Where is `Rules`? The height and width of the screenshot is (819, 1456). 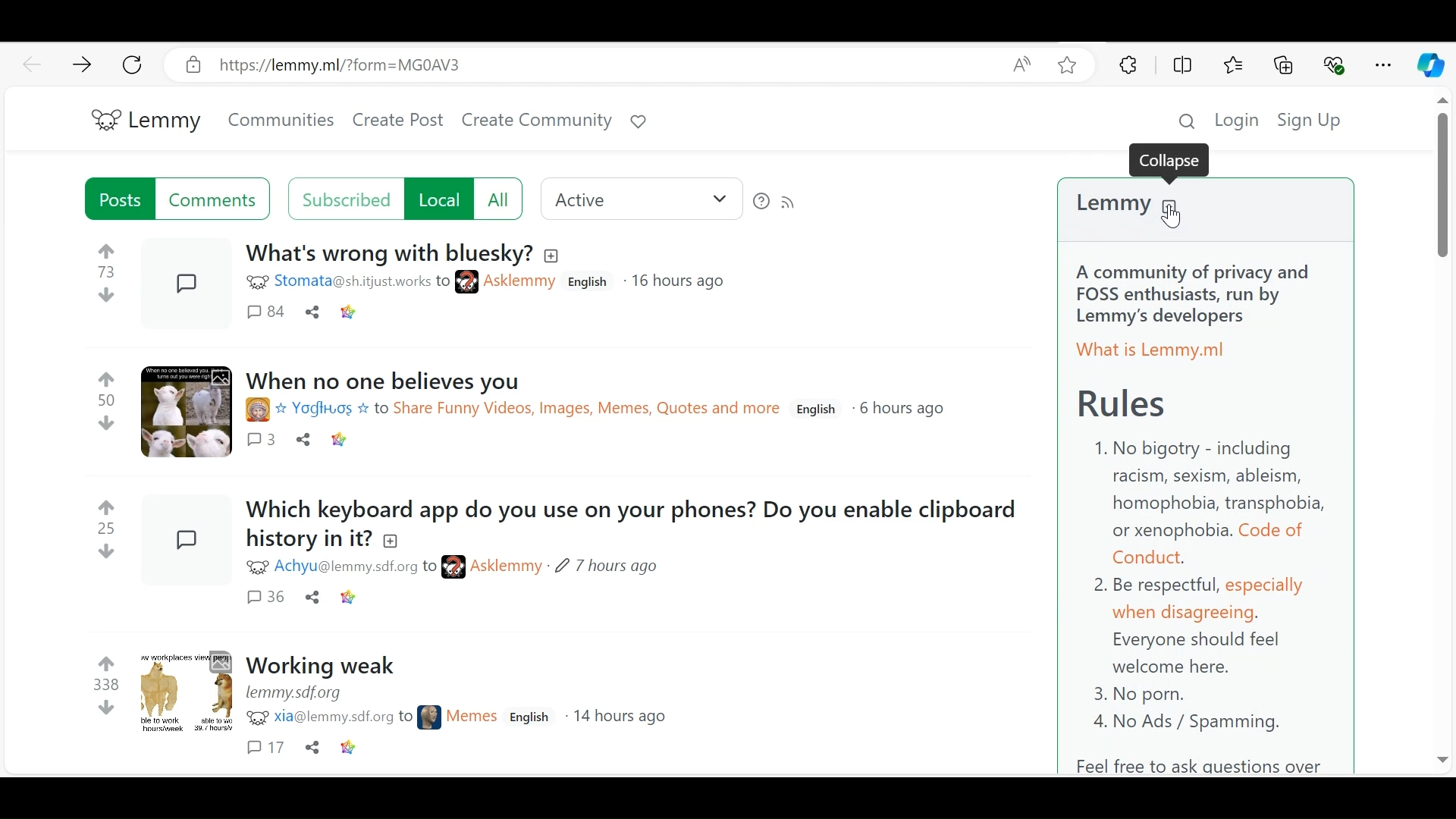
Rules is located at coordinates (1205, 508).